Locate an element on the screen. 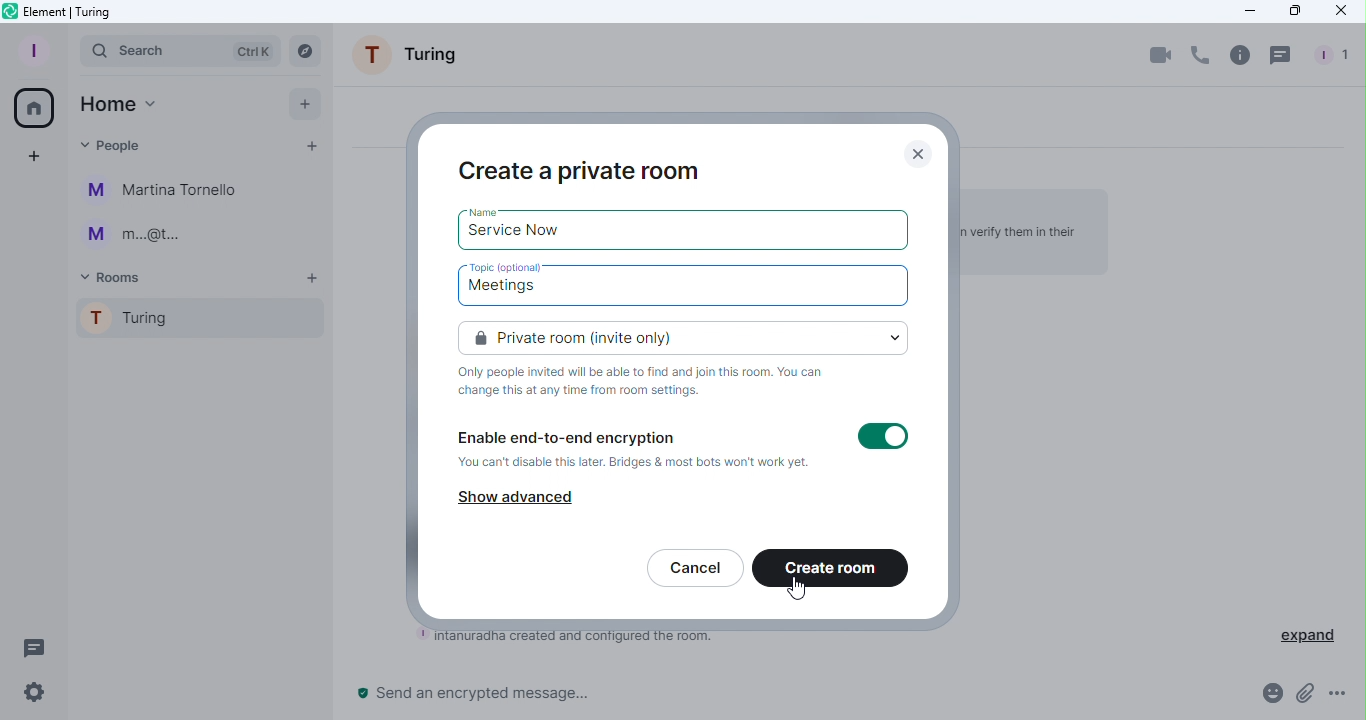 The image size is (1366, 720). Create room is located at coordinates (832, 570).